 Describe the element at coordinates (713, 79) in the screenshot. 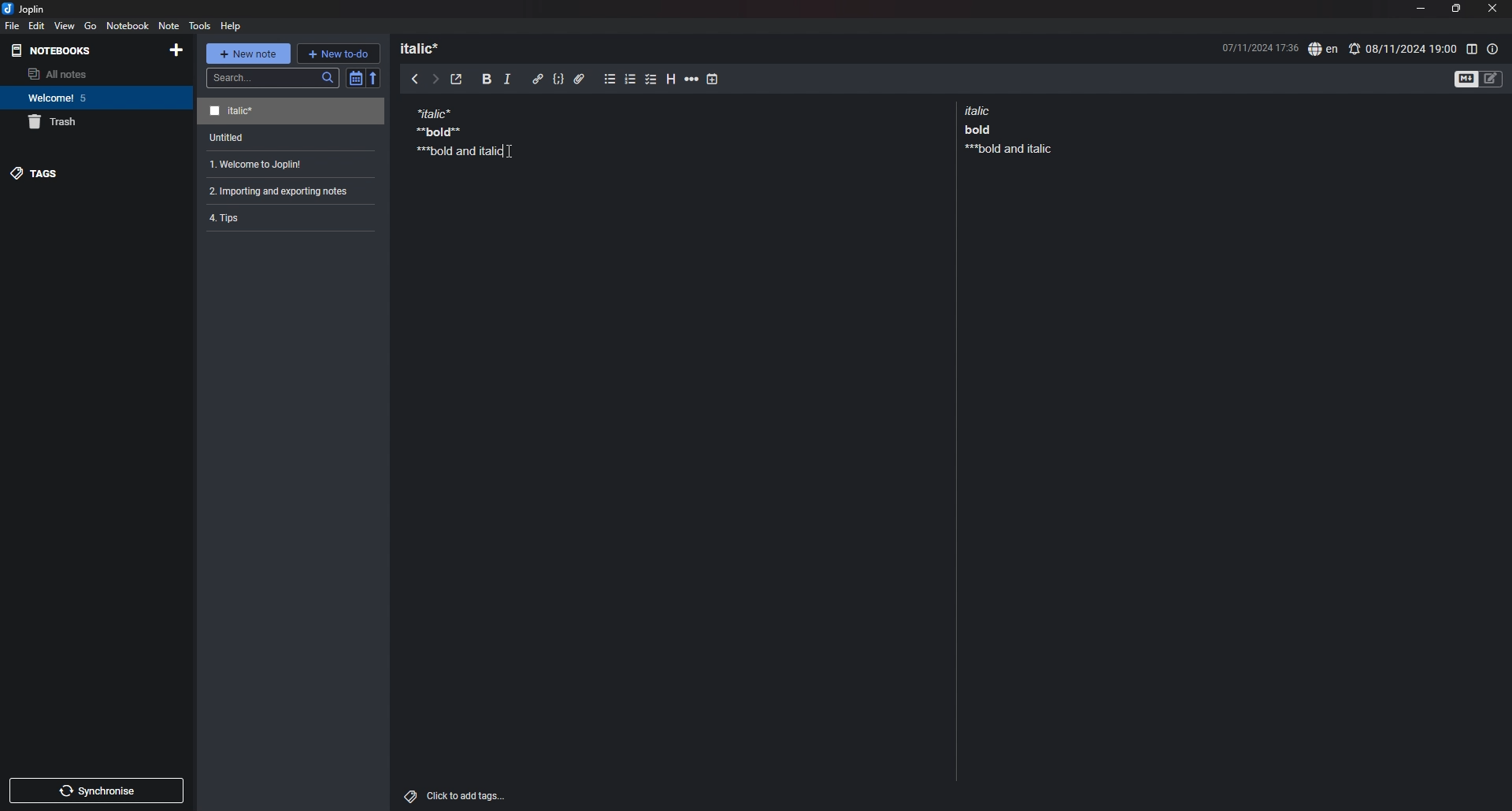

I see `add time` at that location.